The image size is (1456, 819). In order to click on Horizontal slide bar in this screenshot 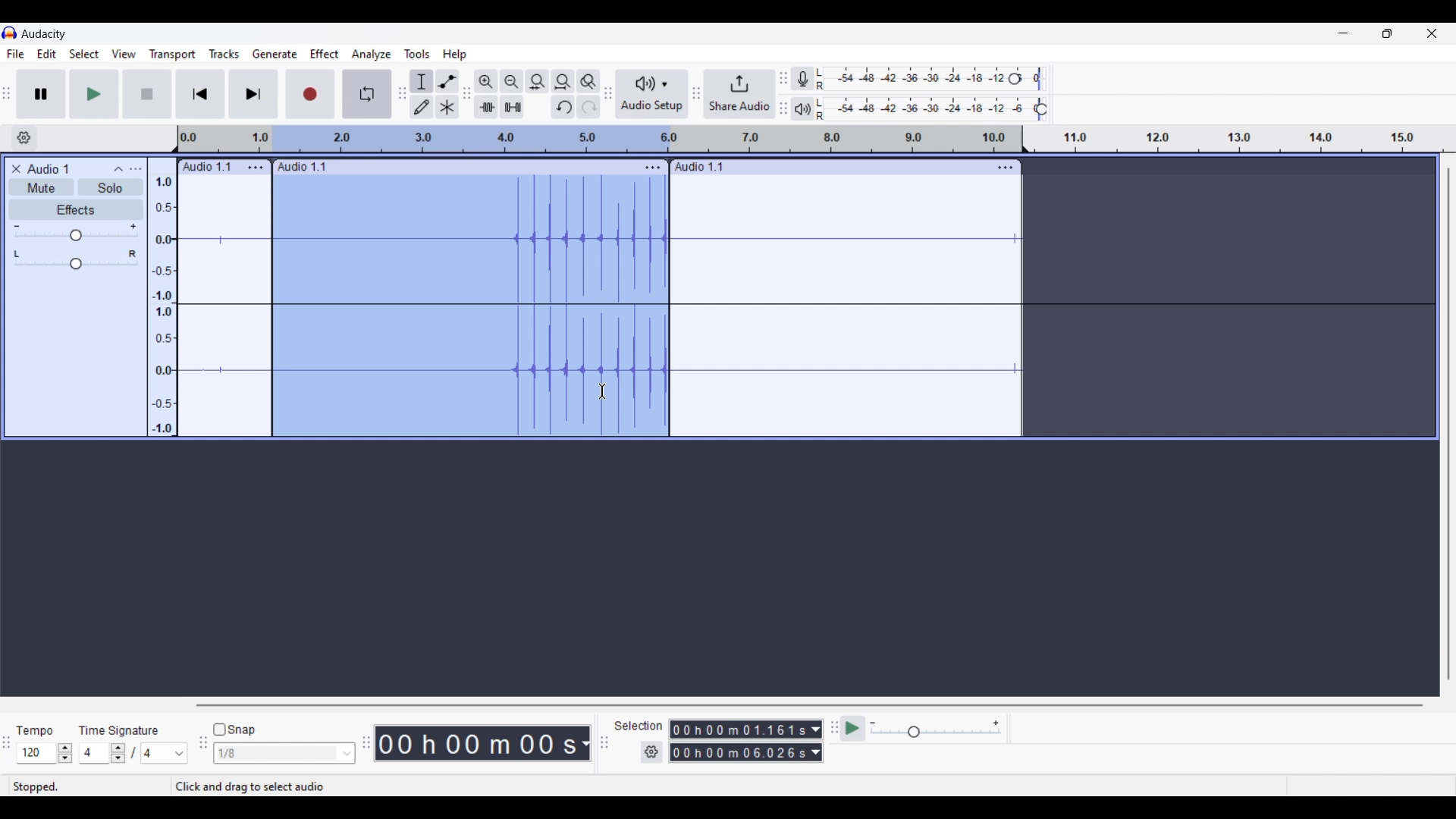, I will do `click(810, 705)`.